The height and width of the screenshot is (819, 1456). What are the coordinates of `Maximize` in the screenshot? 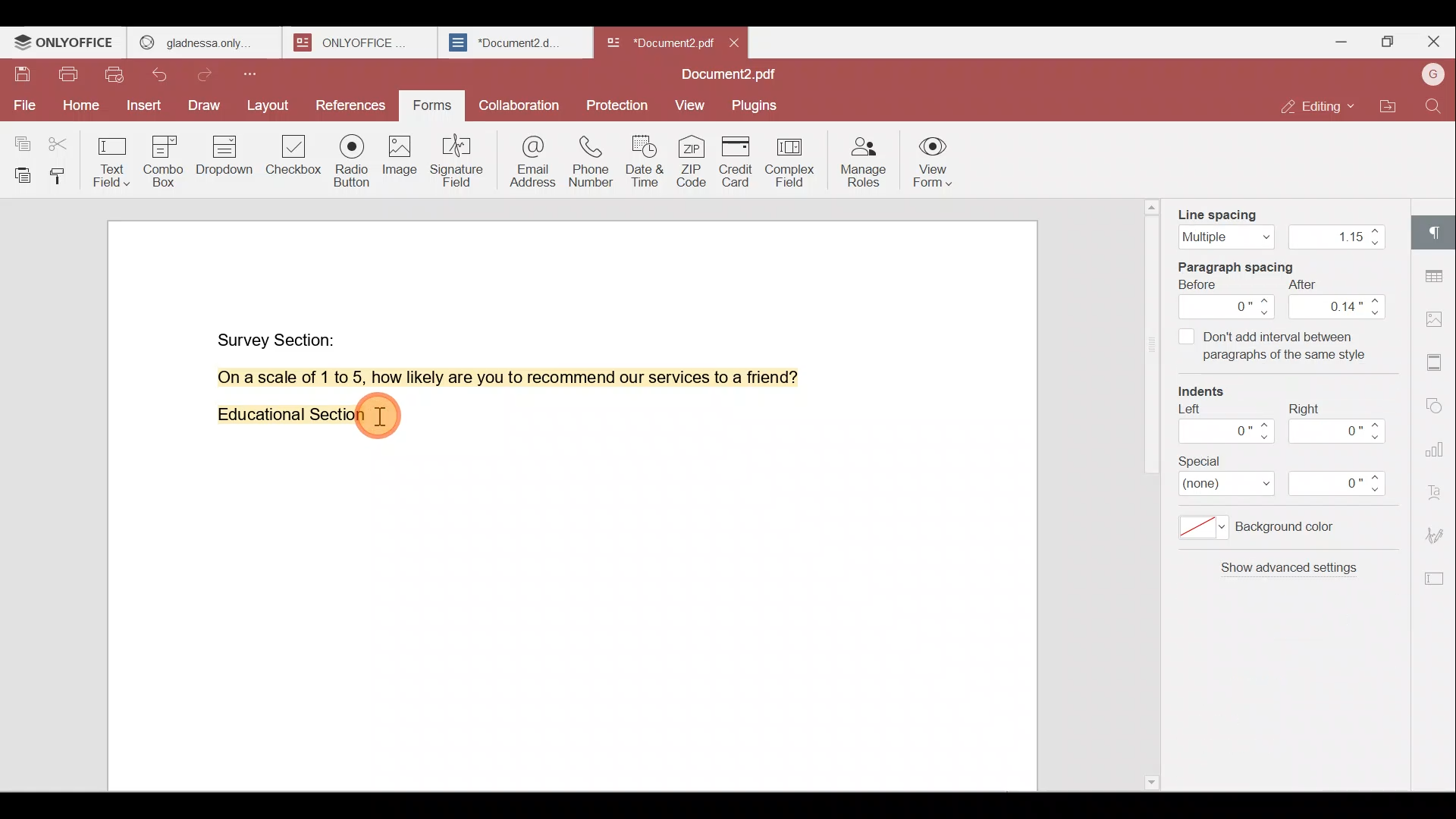 It's located at (1386, 44).